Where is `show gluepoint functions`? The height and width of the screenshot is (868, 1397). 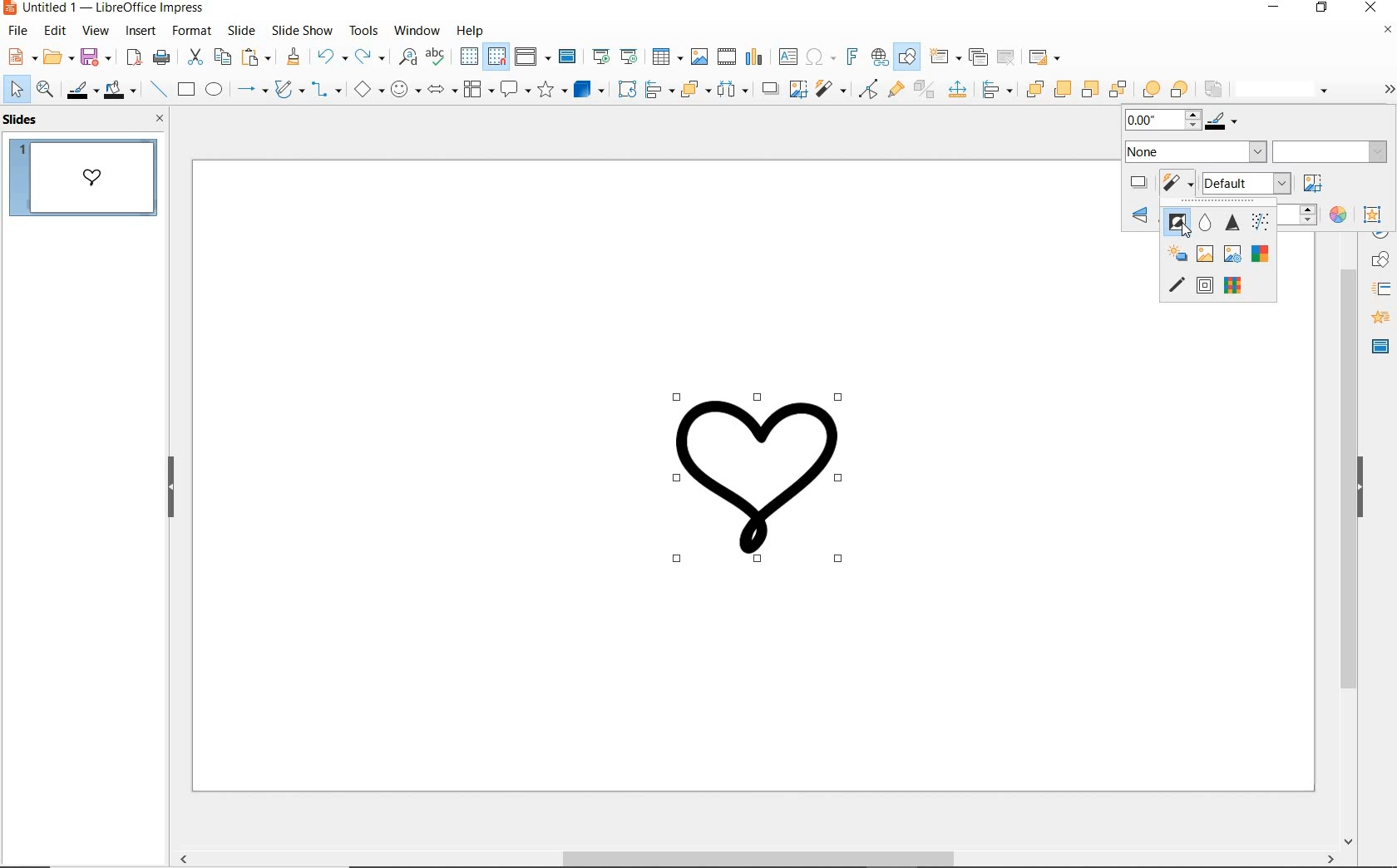 show gluepoint functions is located at coordinates (895, 89).